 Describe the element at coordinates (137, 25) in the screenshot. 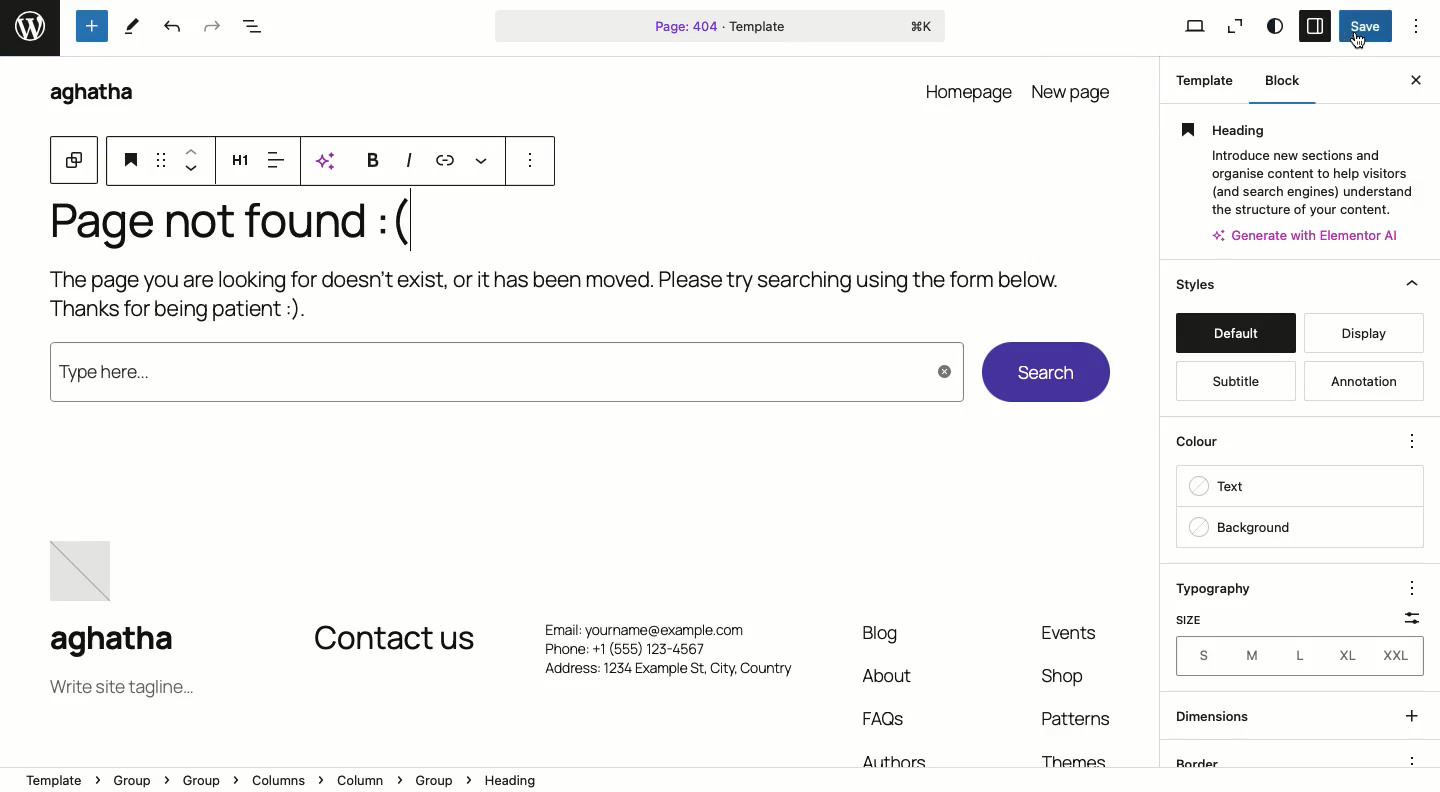

I see `tools` at that location.